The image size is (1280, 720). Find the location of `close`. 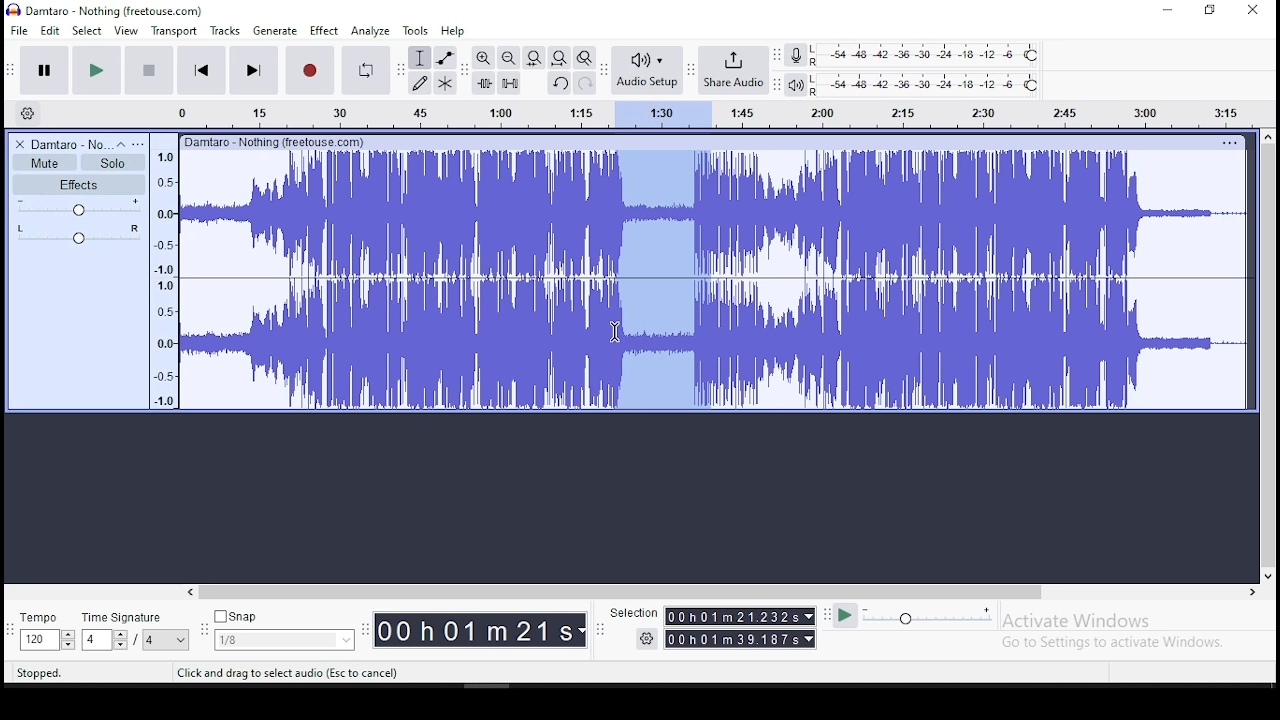

close is located at coordinates (1252, 11).